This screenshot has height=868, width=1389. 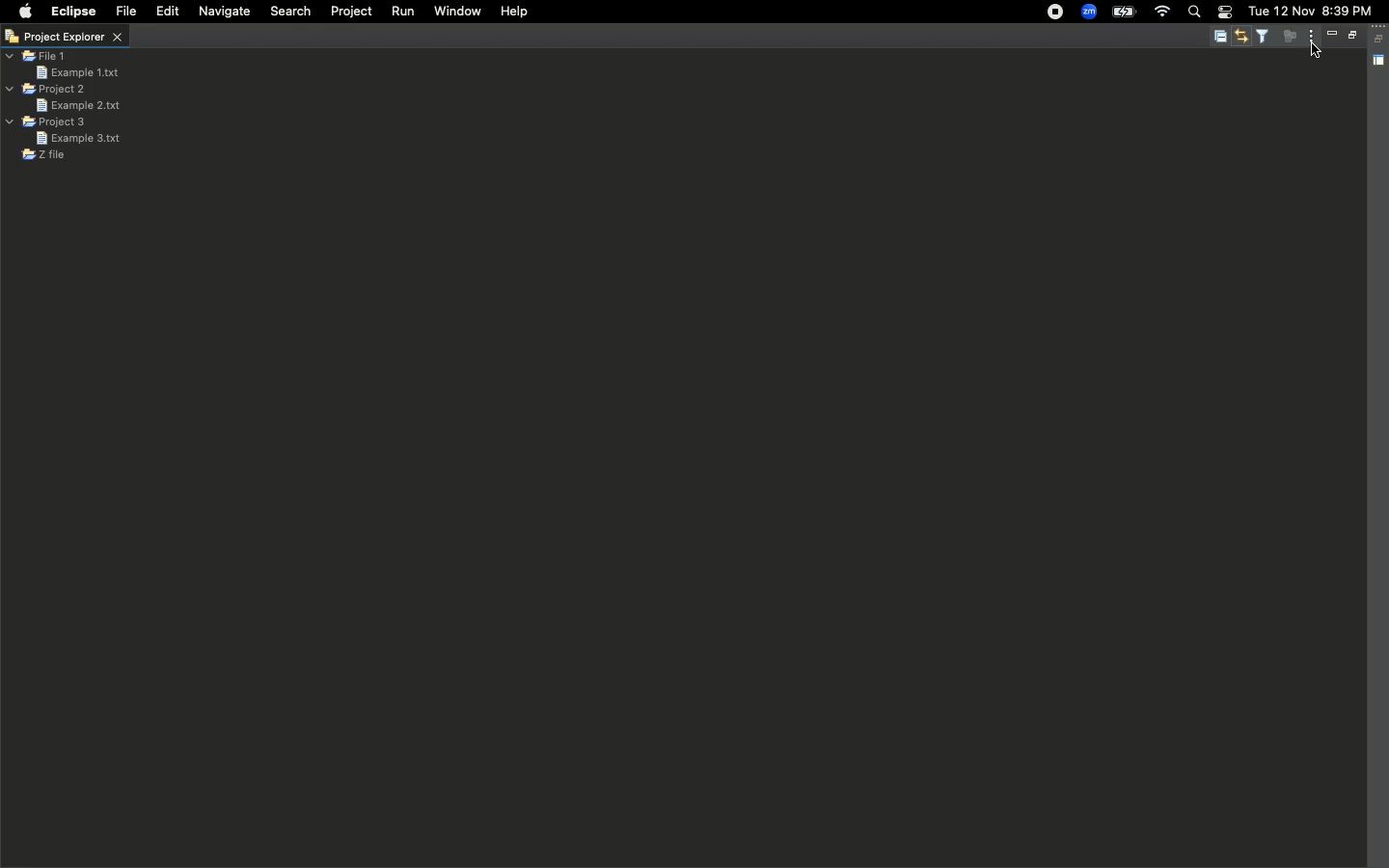 What do you see at coordinates (165, 11) in the screenshot?
I see `Edit` at bounding box center [165, 11].